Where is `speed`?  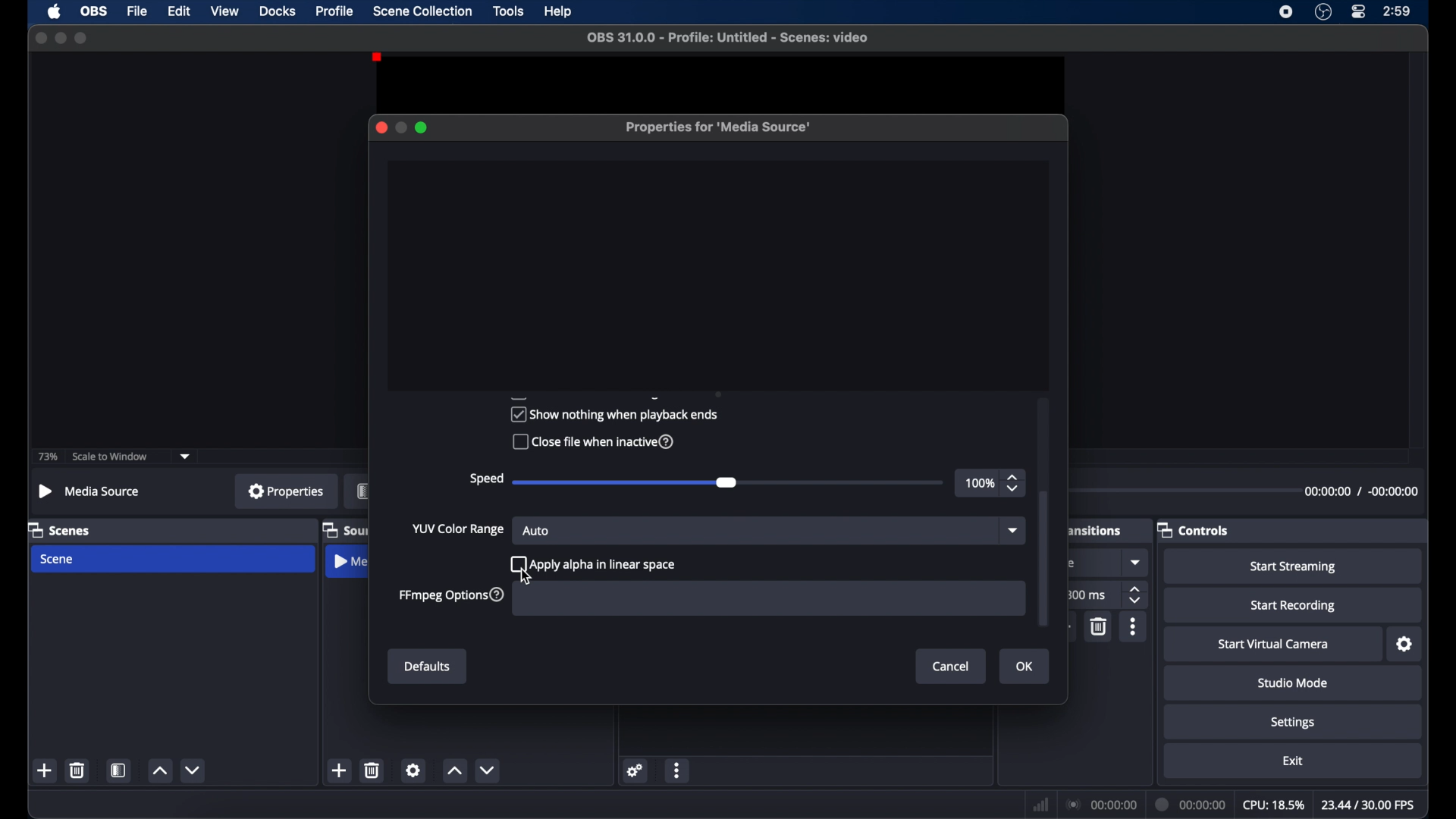 speed is located at coordinates (485, 479).